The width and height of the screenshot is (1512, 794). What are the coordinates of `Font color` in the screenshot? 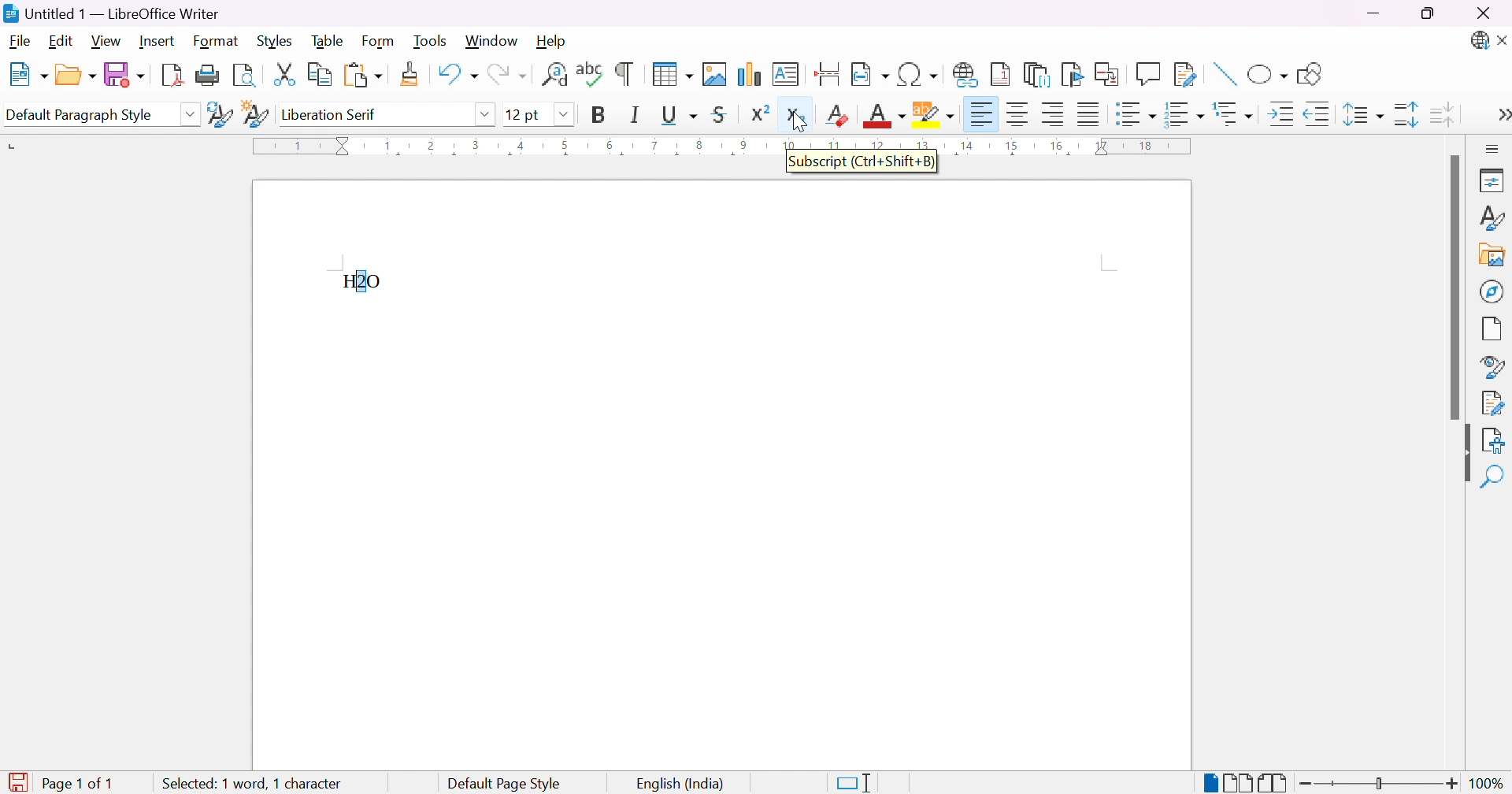 It's located at (887, 116).